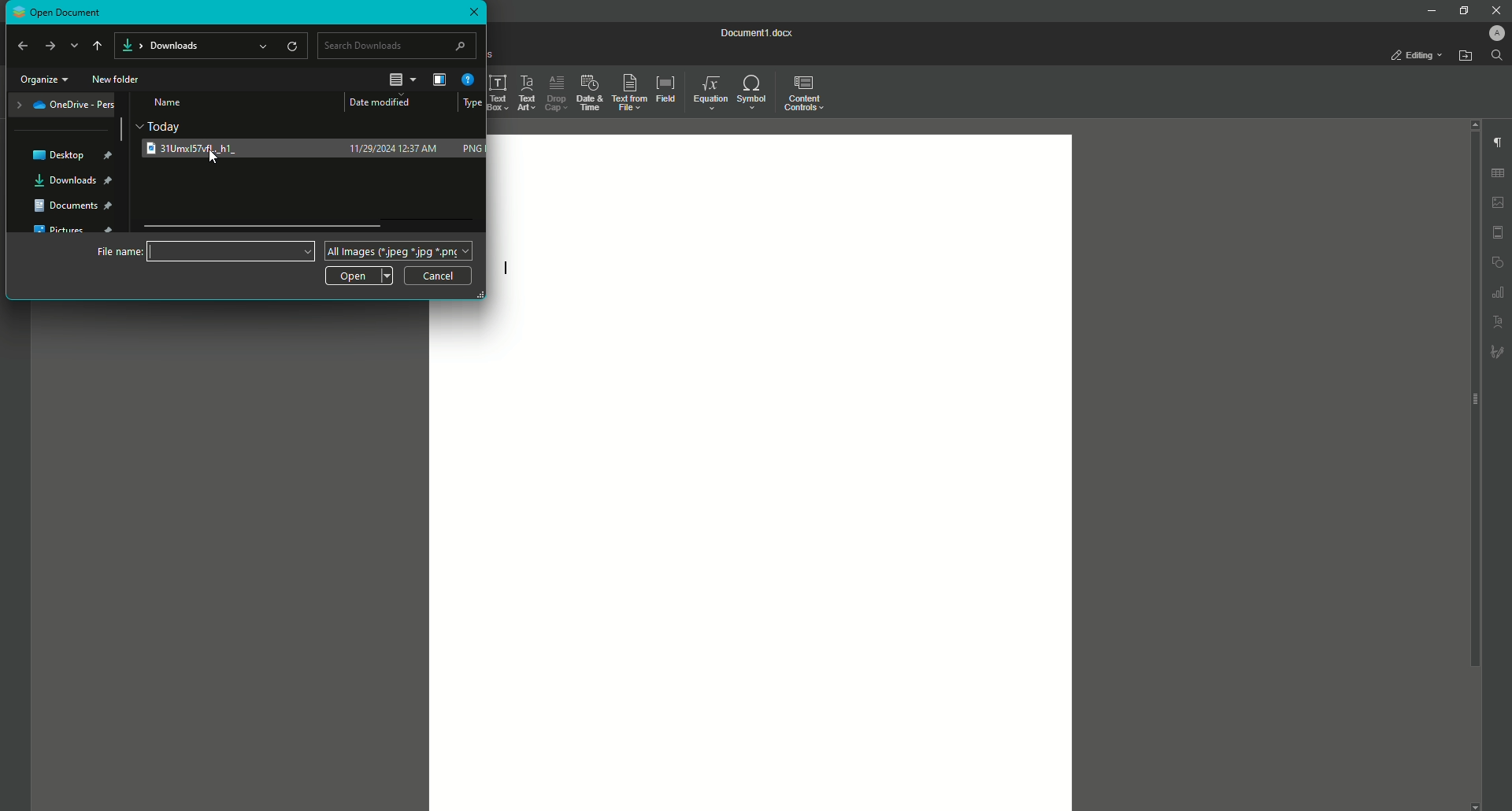 The height and width of the screenshot is (811, 1512). I want to click on Pictures, so click(73, 231).